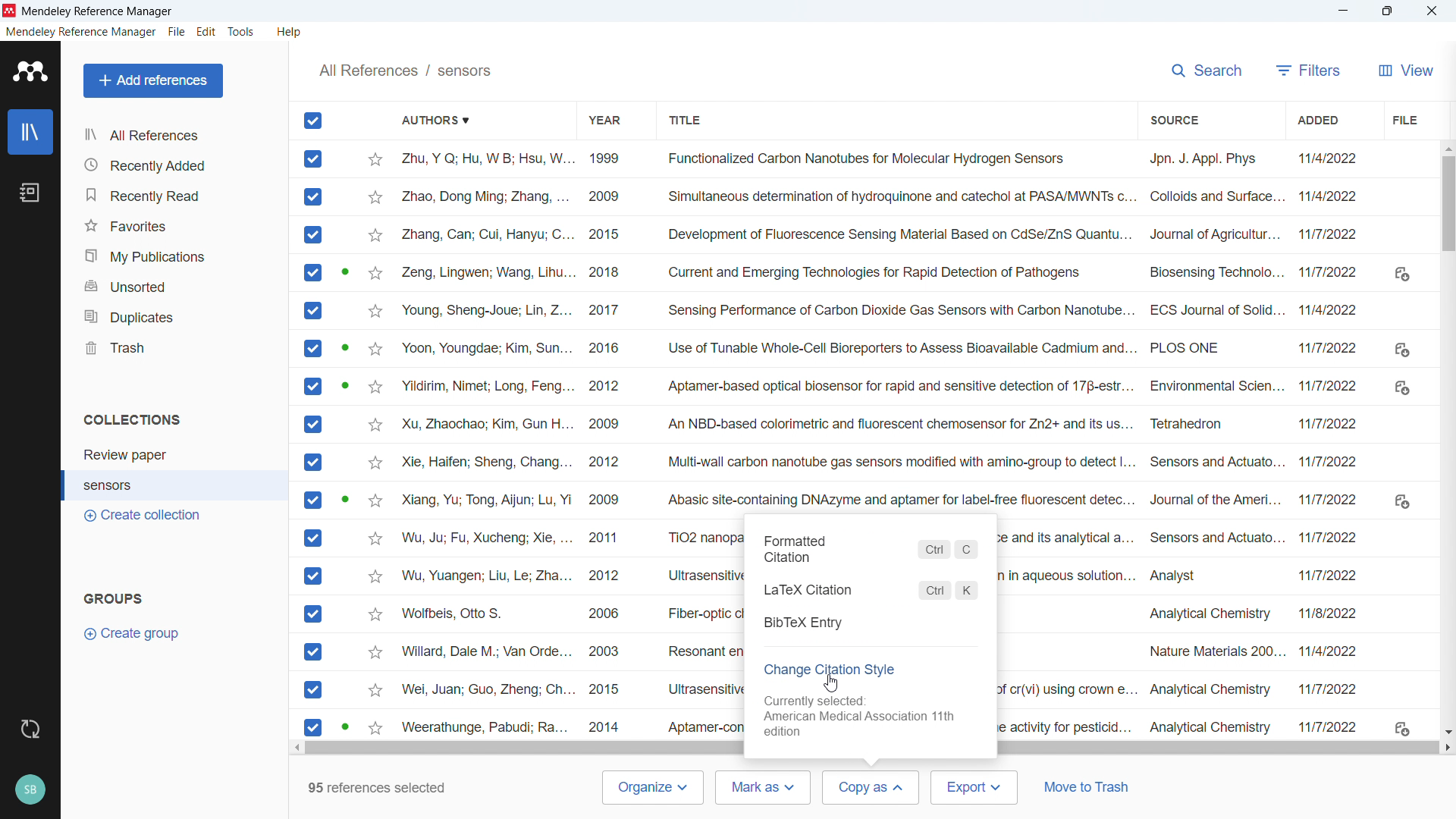 The image size is (1456, 819). Describe the element at coordinates (175, 164) in the screenshot. I see `recently added` at that location.